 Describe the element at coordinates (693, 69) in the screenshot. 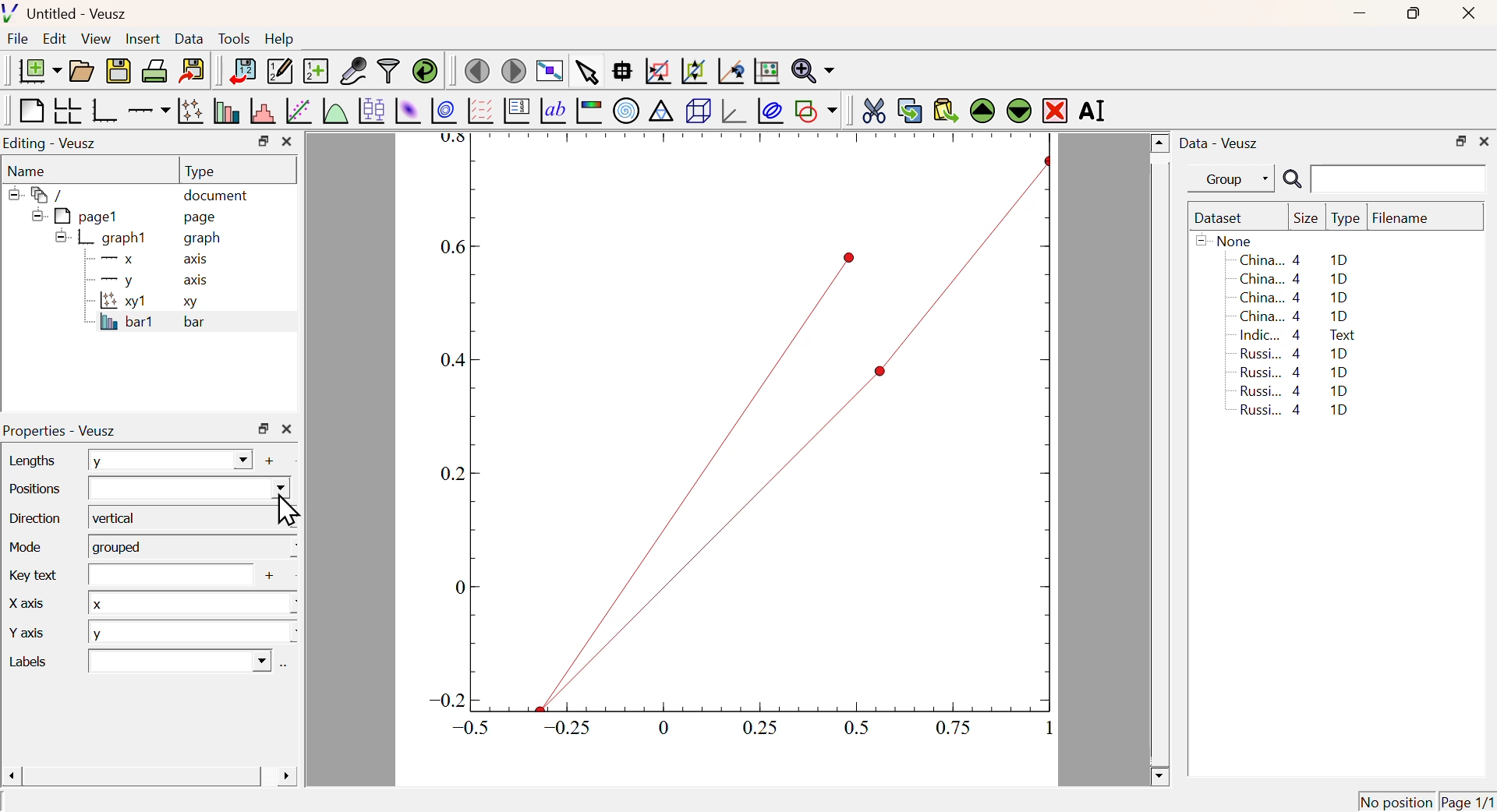

I see `Zoom out graph axis` at that location.